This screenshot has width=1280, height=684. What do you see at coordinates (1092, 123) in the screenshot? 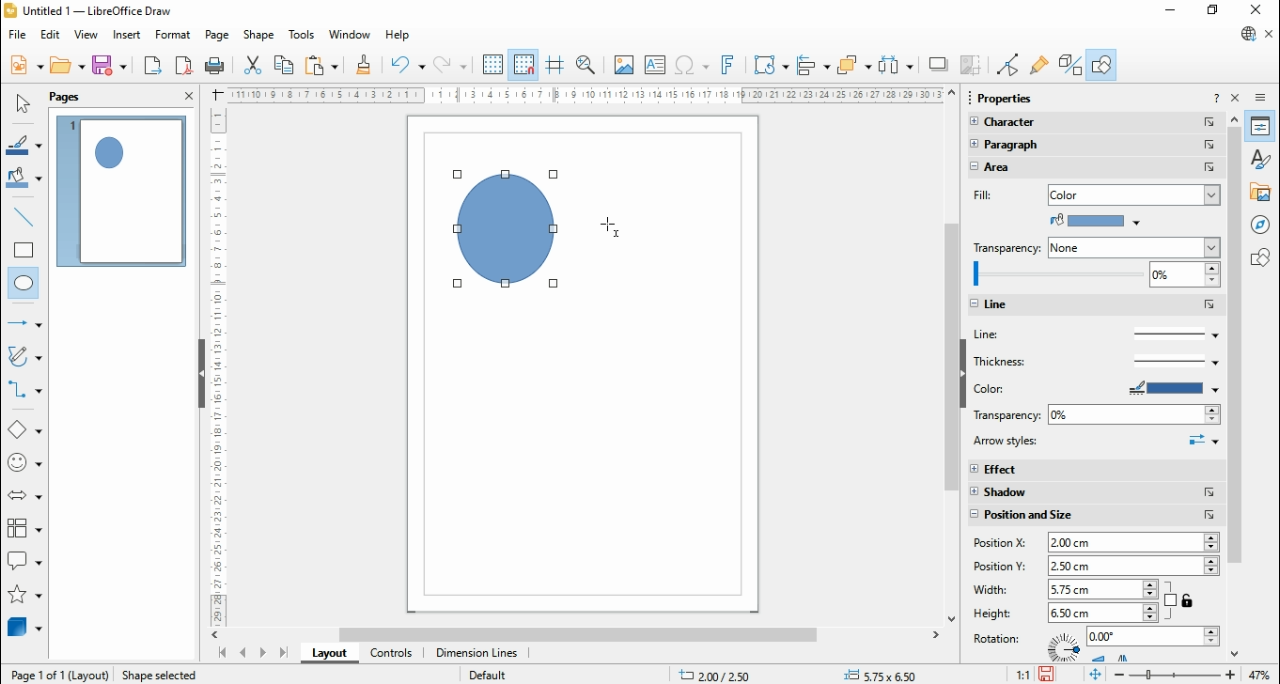
I see `character` at bounding box center [1092, 123].